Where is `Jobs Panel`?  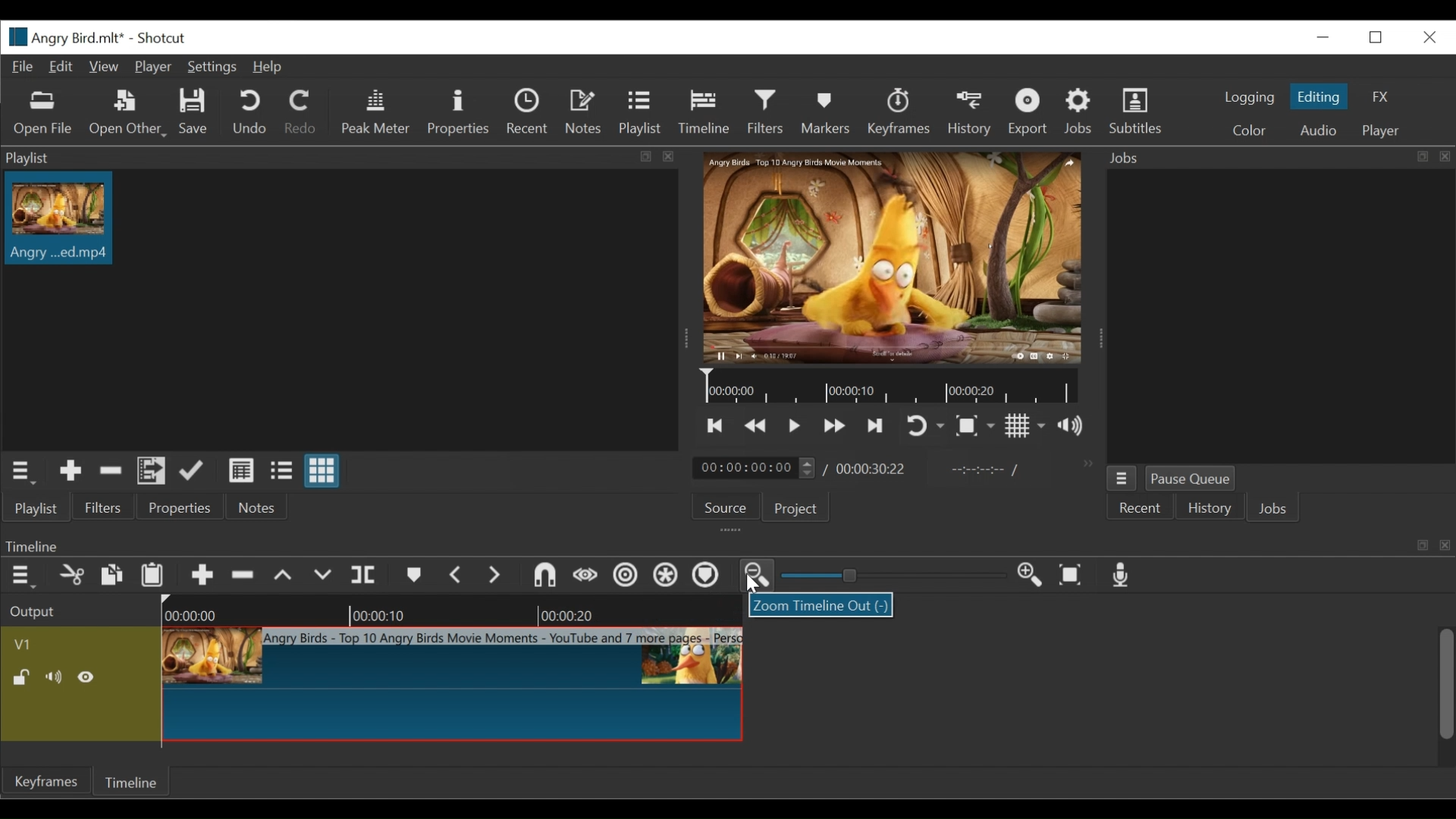 Jobs Panel is located at coordinates (1287, 317).